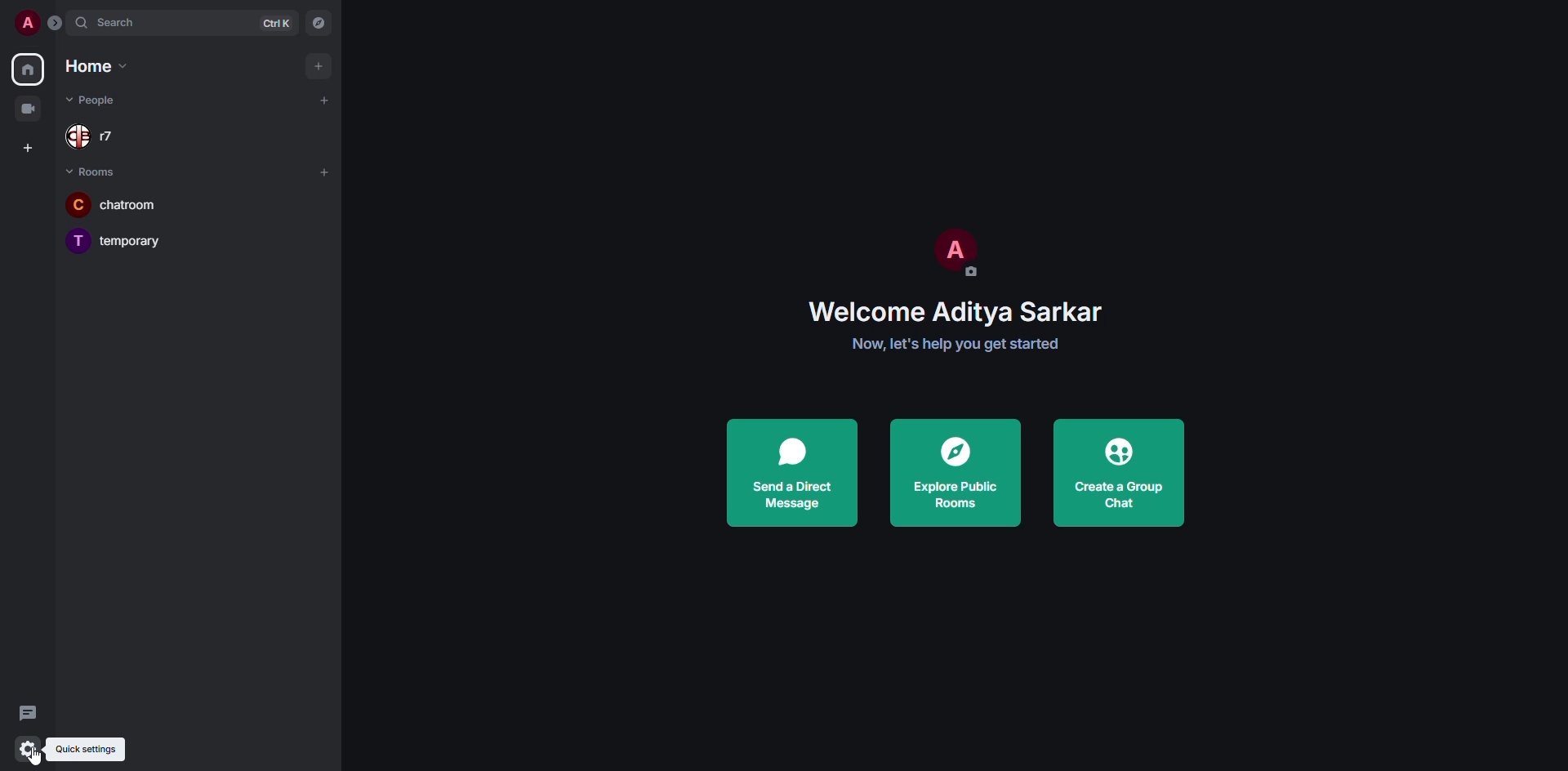 This screenshot has height=771, width=1568. Describe the element at coordinates (29, 67) in the screenshot. I see `home` at that location.